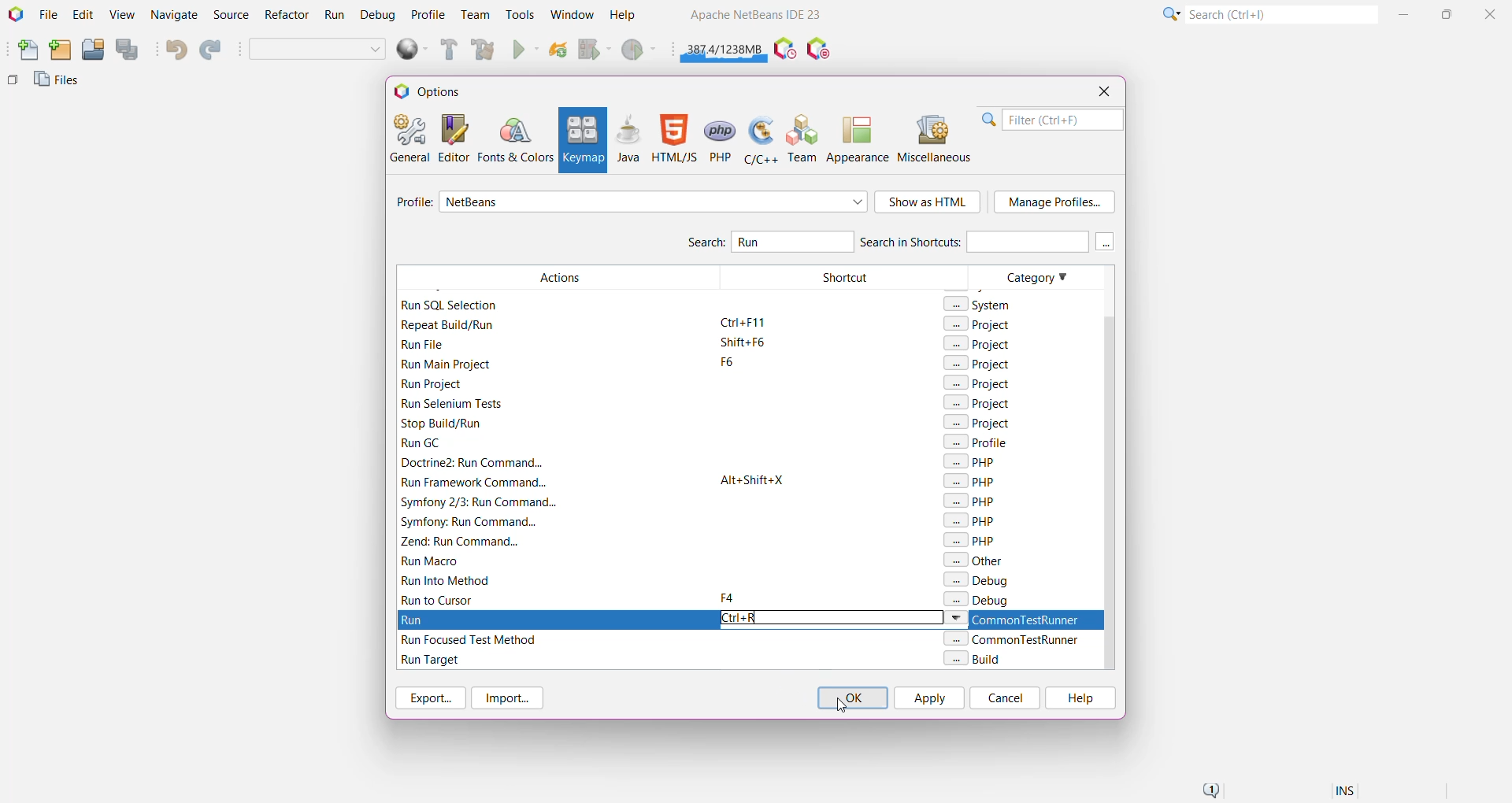 This screenshot has height=803, width=1512. I want to click on Category, so click(1008, 646).